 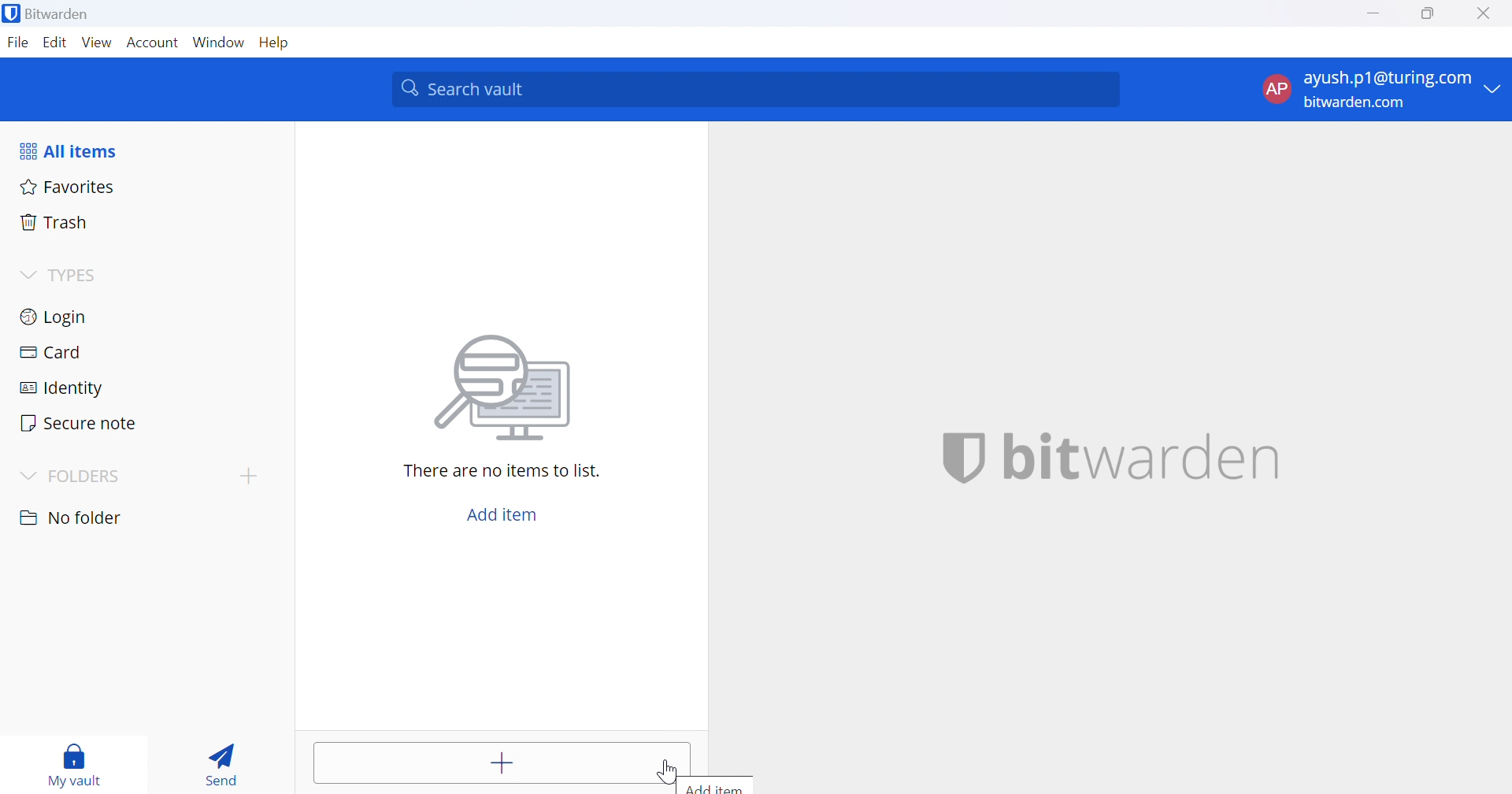 What do you see at coordinates (668, 773) in the screenshot?
I see `Cursor` at bounding box center [668, 773].